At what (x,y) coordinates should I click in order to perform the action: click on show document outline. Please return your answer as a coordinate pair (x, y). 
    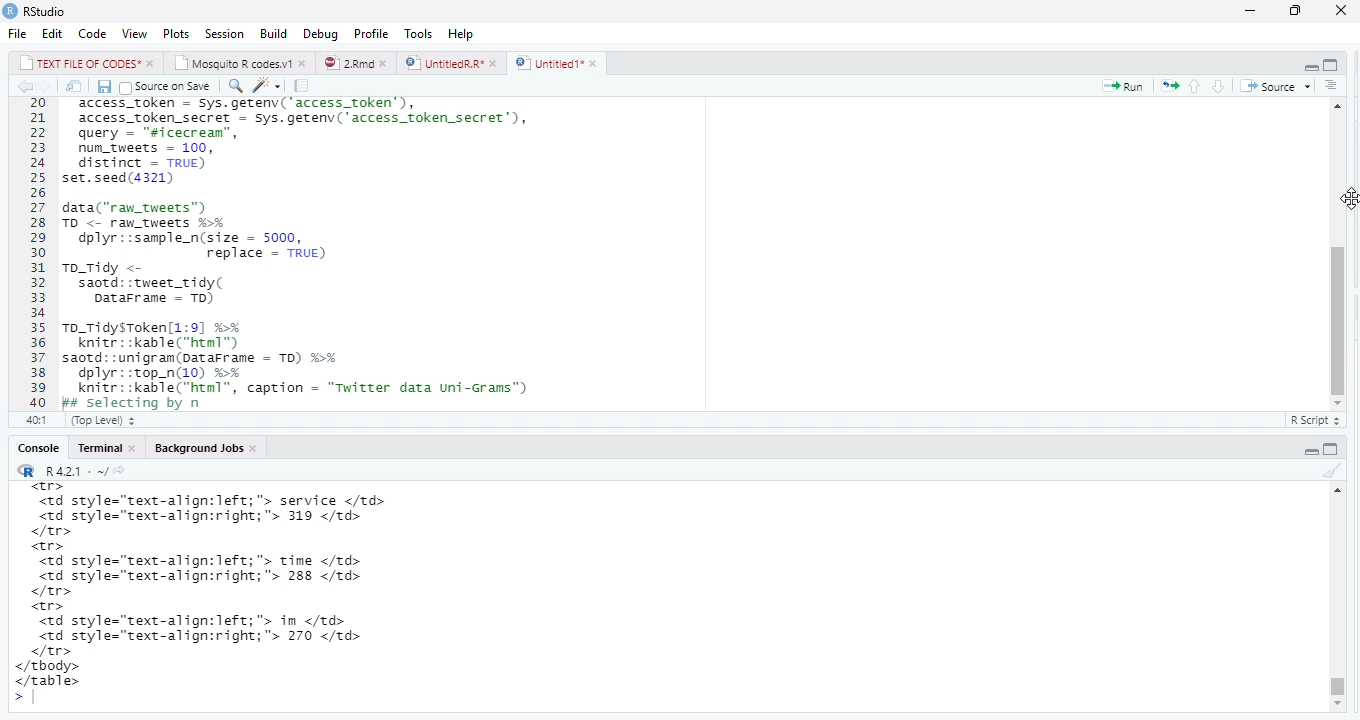
    Looking at the image, I should click on (1340, 84).